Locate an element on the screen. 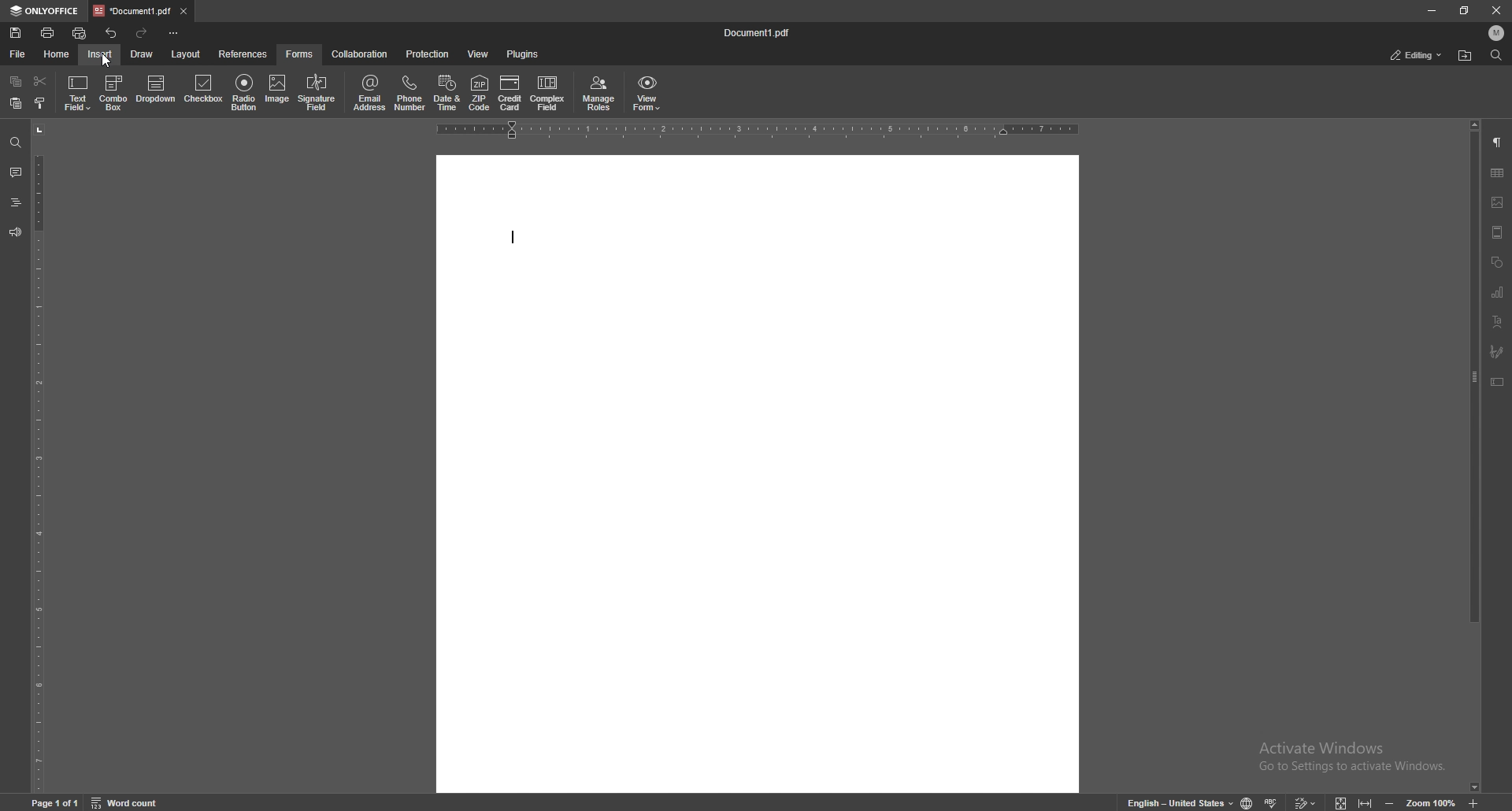  text box is located at coordinates (1497, 382).